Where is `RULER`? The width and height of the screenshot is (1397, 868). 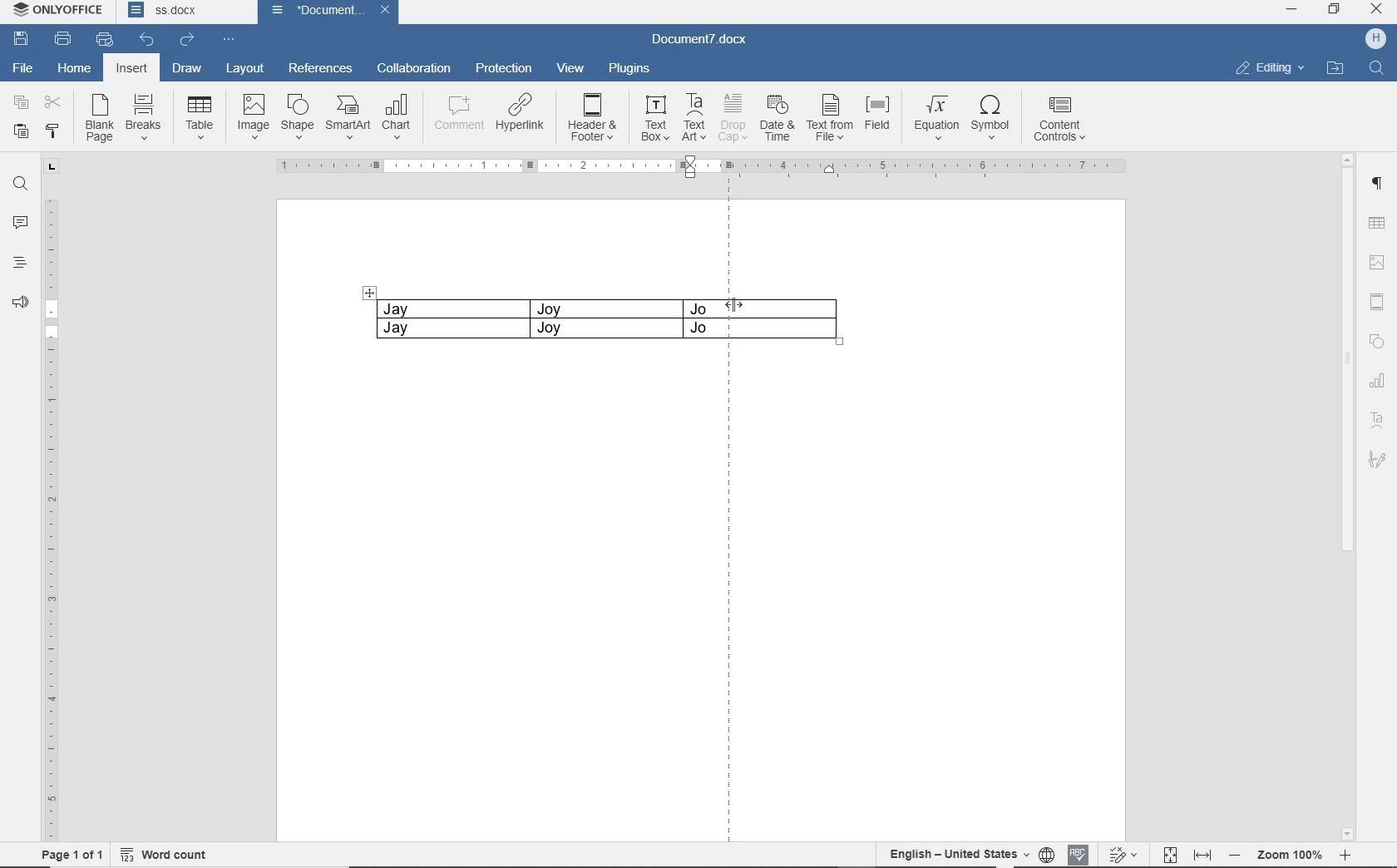 RULER is located at coordinates (51, 521).